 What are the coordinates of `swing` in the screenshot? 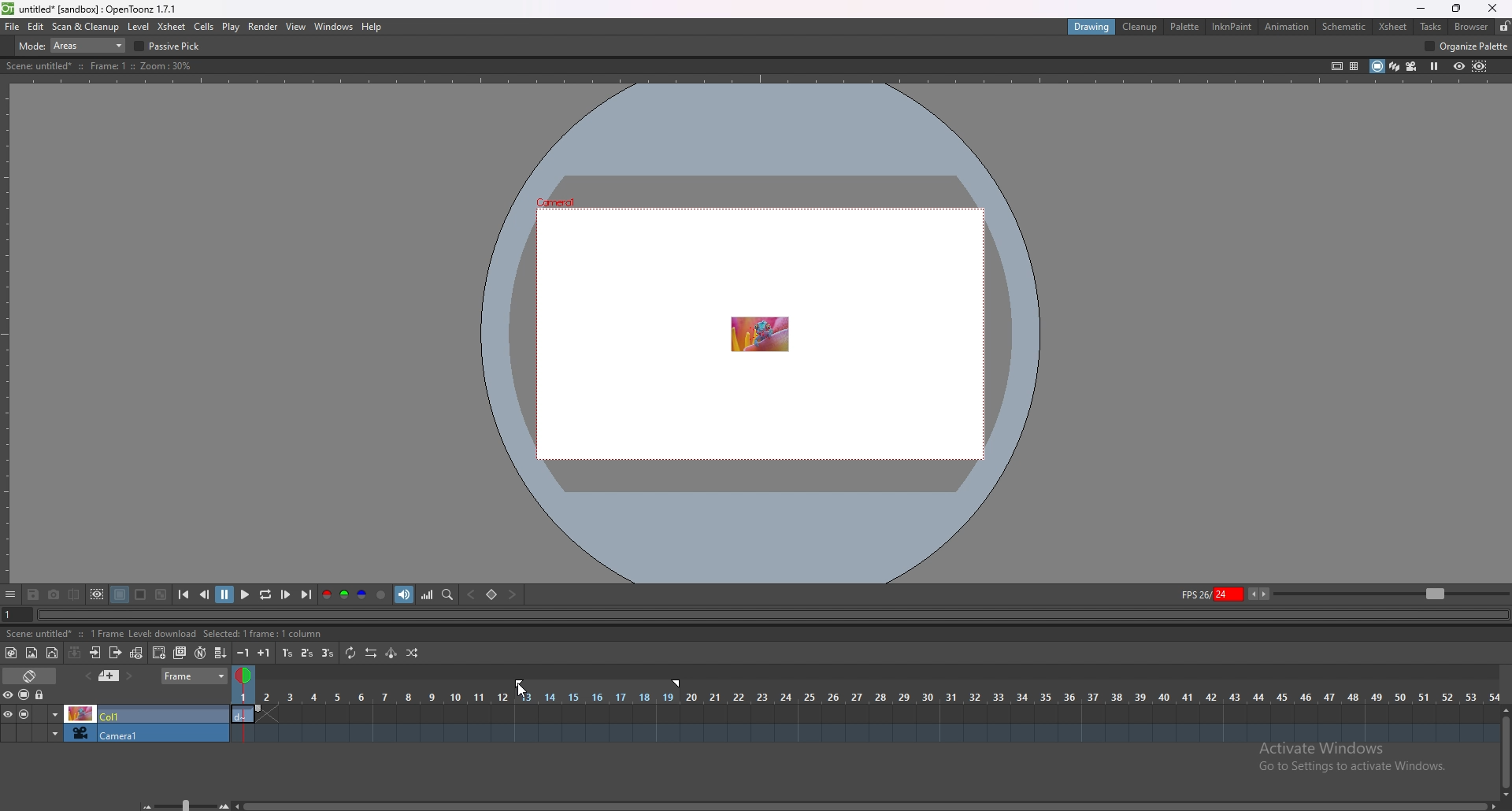 It's located at (392, 652).